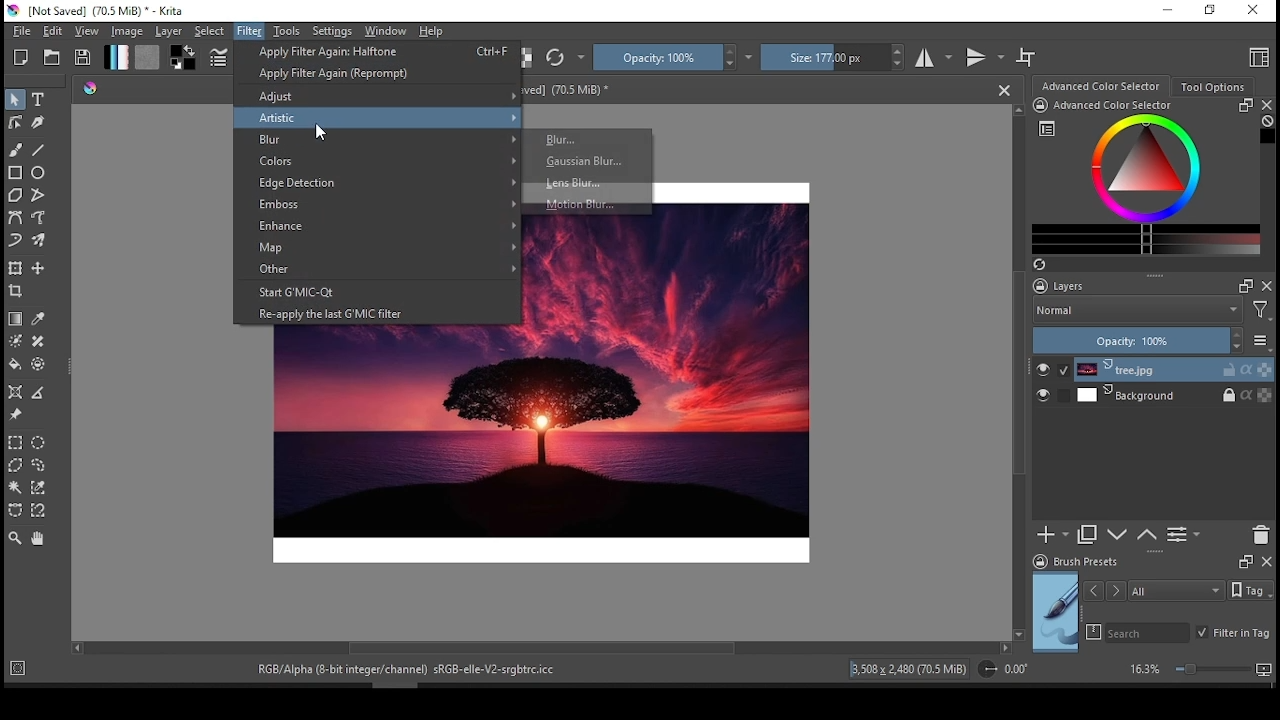 The image size is (1280, 720). What do you see at coordinates (1056, 284) in the screenshot?
I see `layers` at bounding box center [1056, 284].